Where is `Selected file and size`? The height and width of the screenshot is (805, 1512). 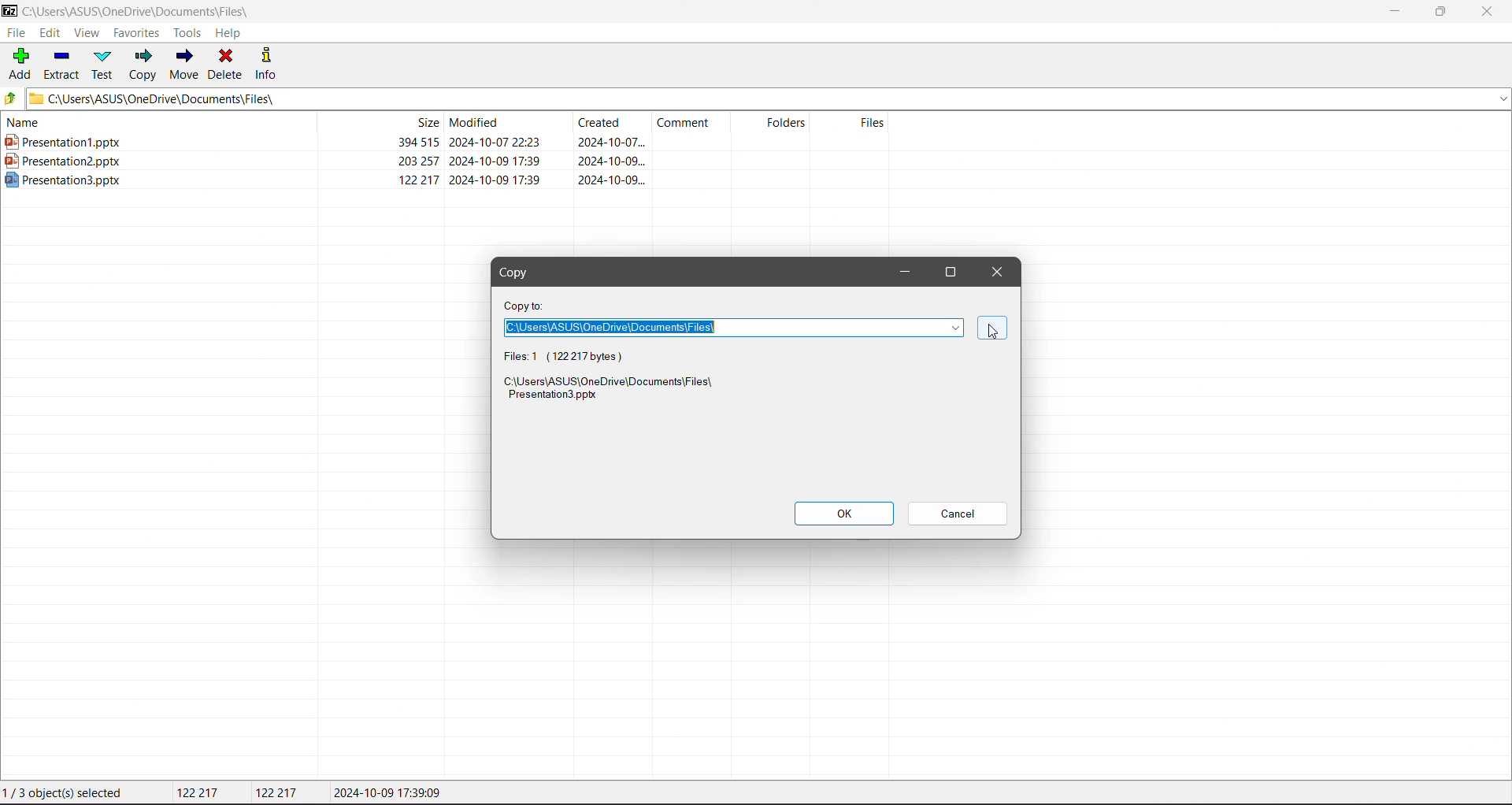
Selected file and size is located at coordinates (570, 357).